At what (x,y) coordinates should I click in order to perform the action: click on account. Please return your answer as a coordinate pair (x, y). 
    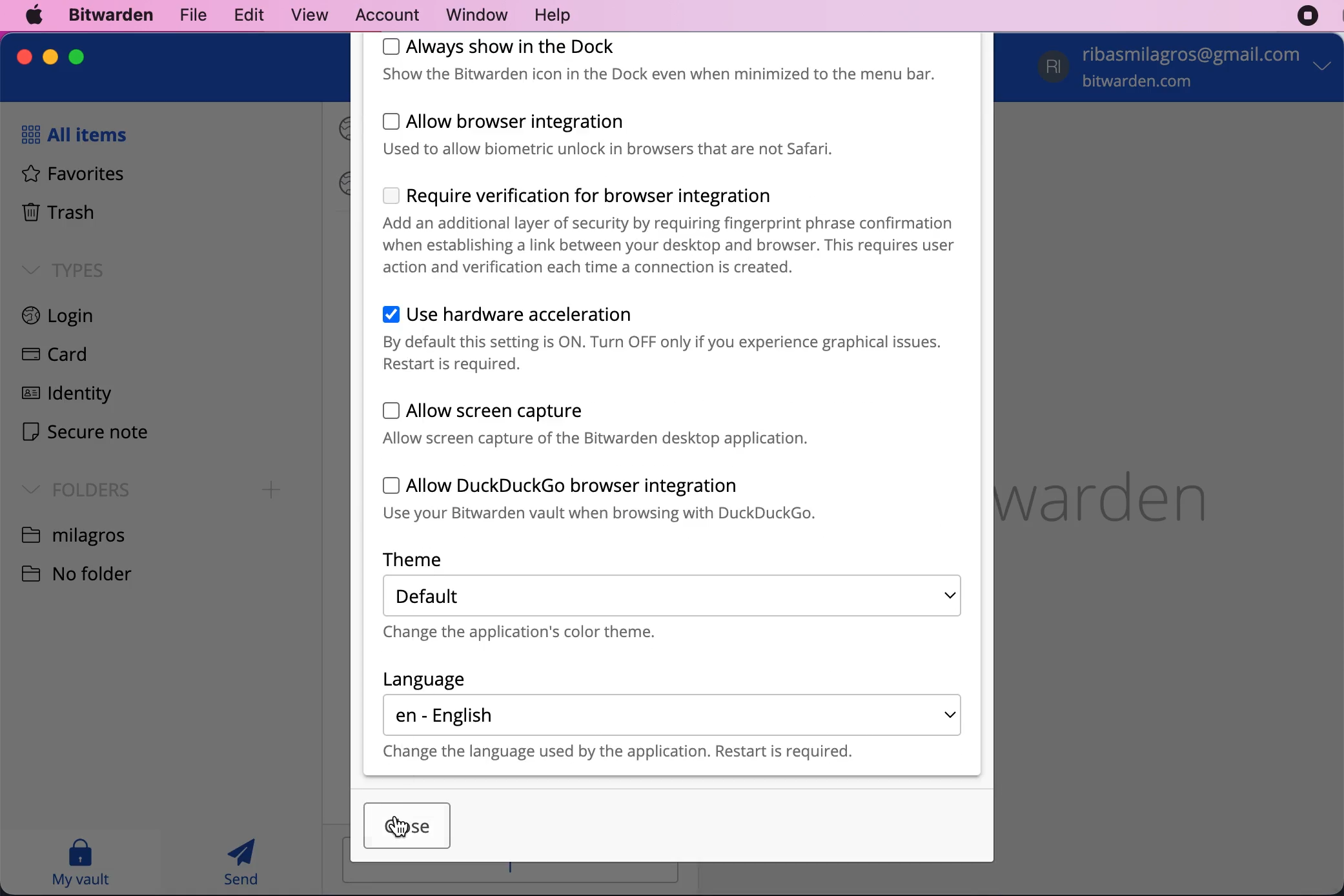
    Looking at the image, I should click on (1188, 69).